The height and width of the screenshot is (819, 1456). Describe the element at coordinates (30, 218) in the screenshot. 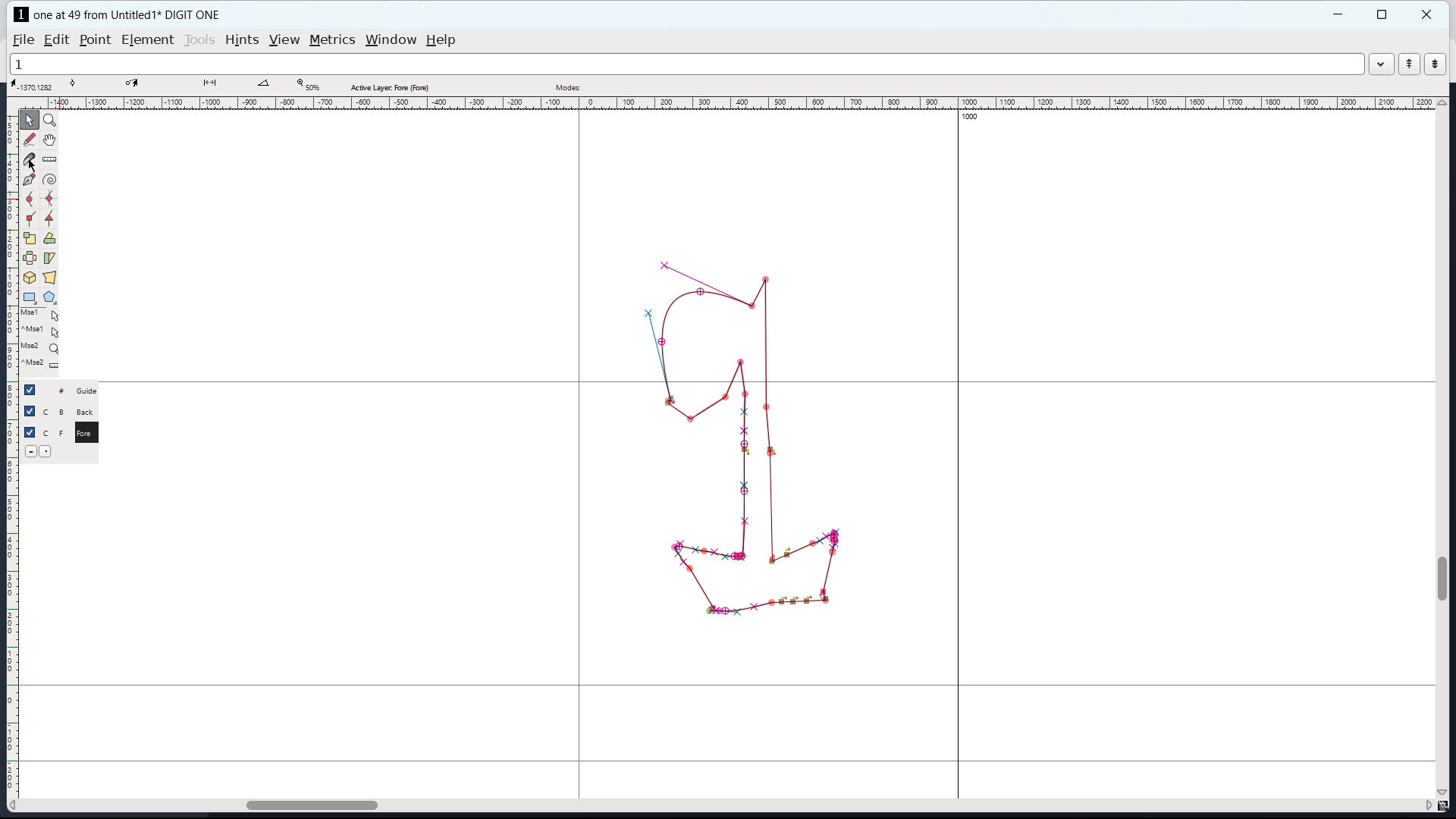

I see `add a corner point` at that location.